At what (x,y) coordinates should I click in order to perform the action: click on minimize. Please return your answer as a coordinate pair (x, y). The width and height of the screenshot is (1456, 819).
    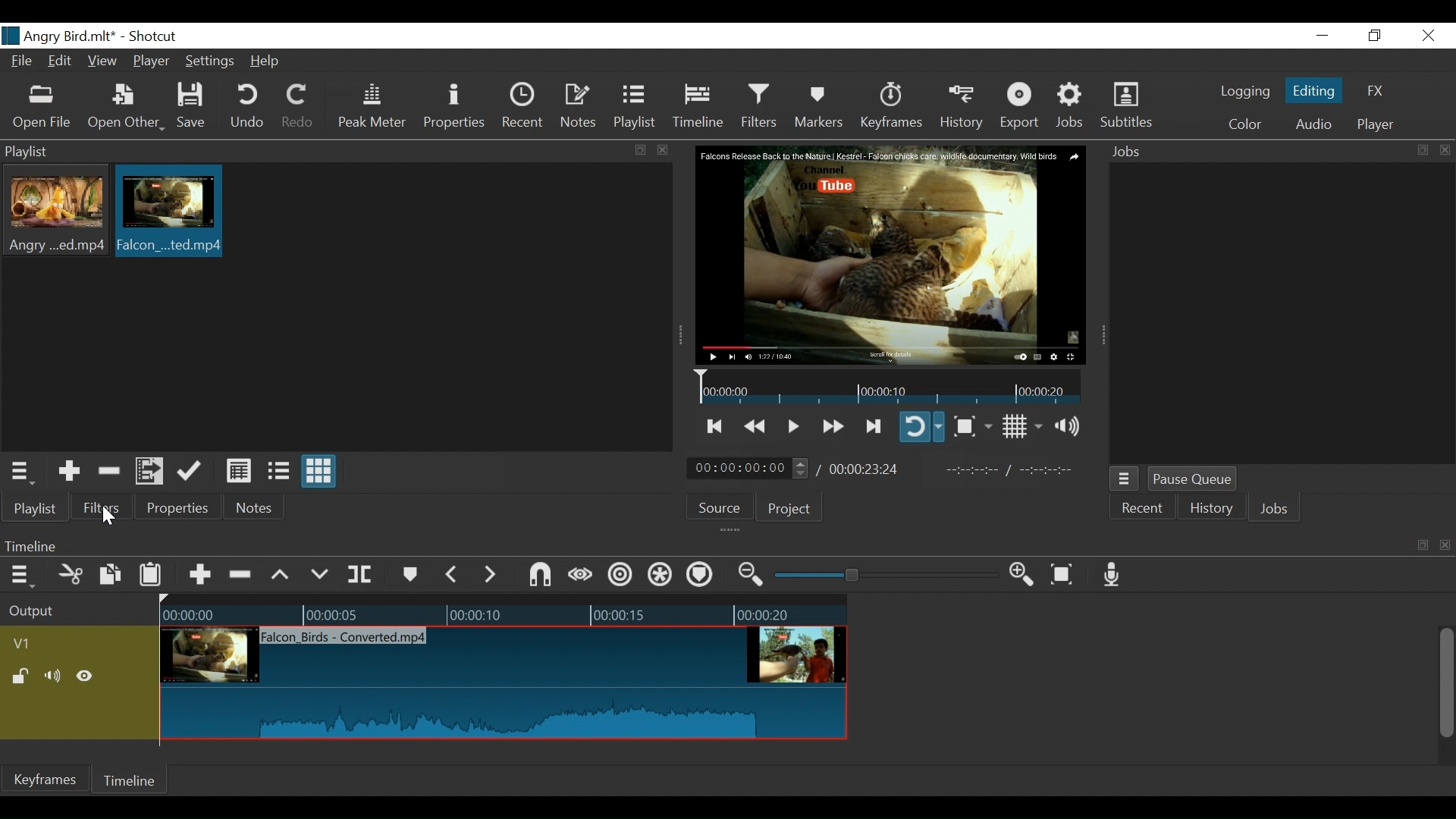
    Looking at the image, I should click on (1322, 36).